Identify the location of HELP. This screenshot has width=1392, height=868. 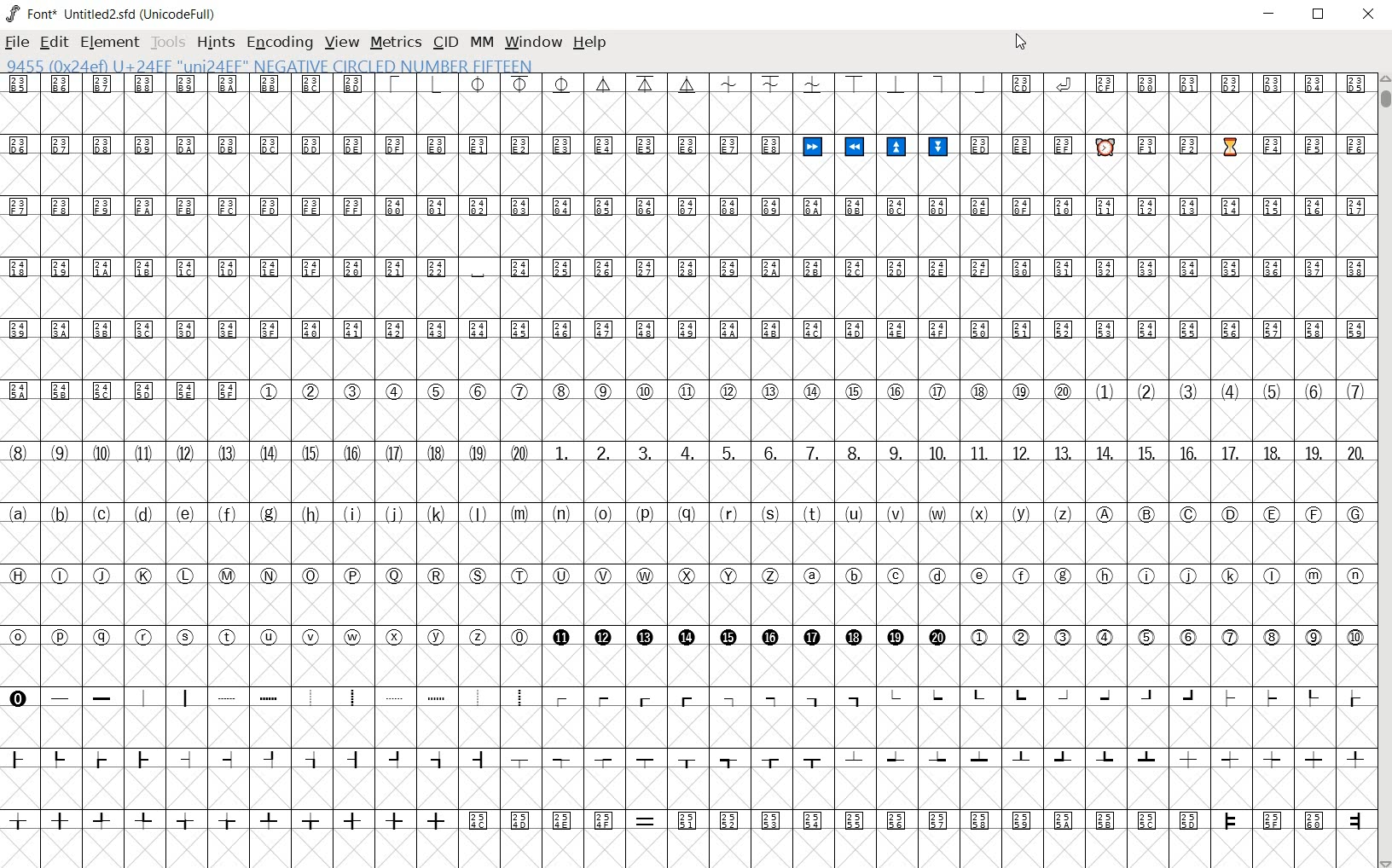
(590, 43).